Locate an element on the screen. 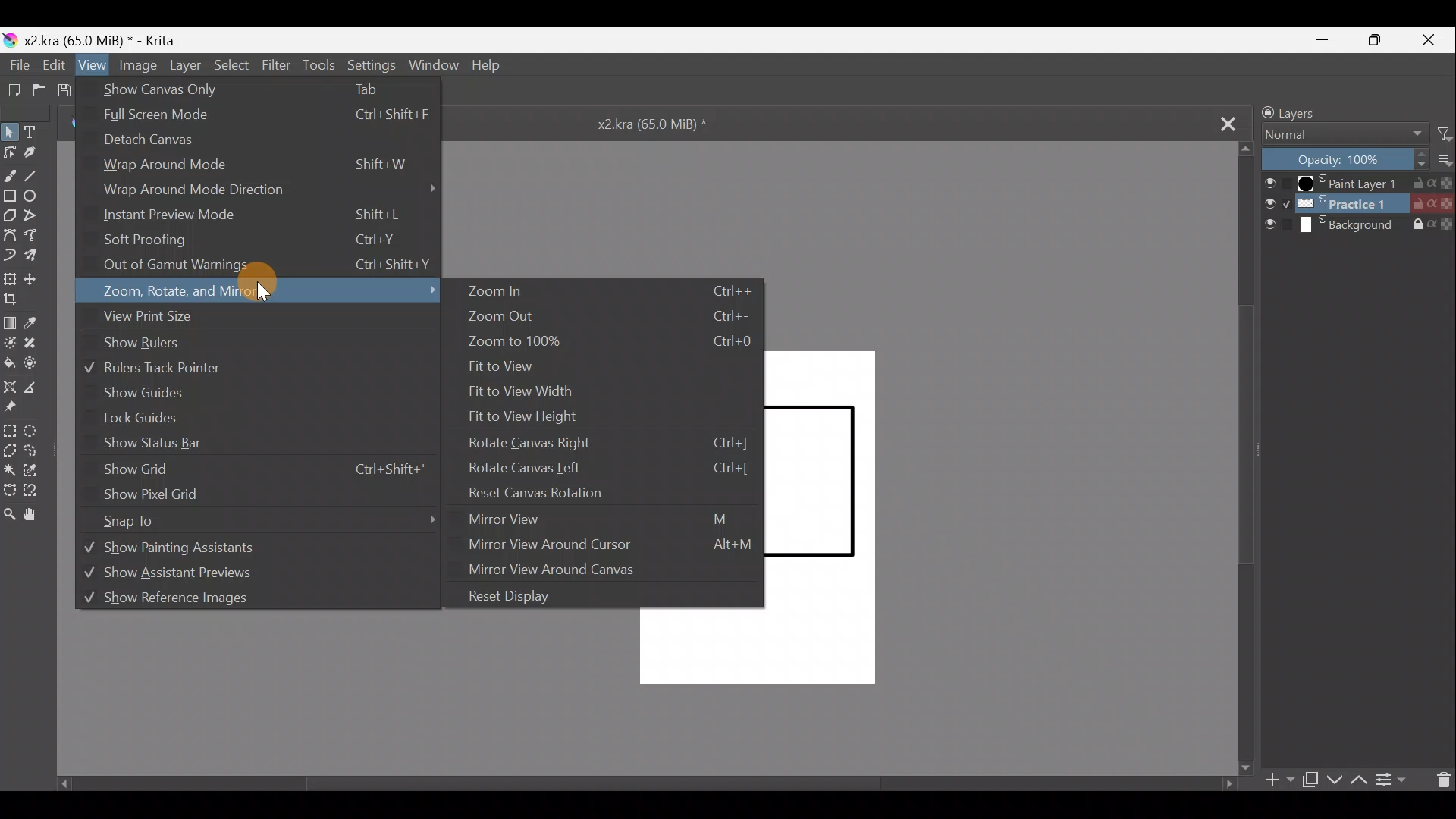 This screenshot has width=1456, height=819. Freehand brush tool is located at coordinates (10, 171).